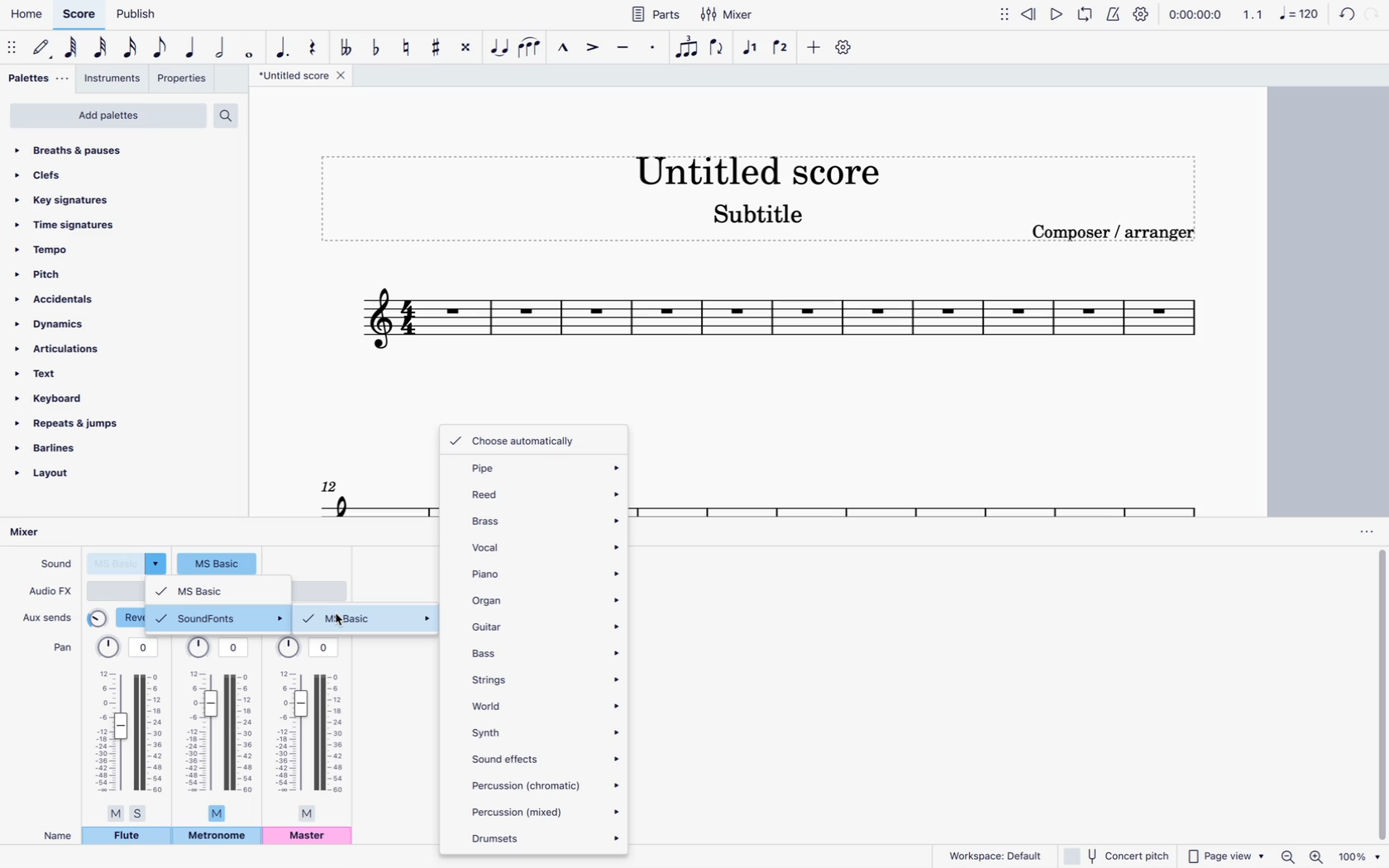 Image resolution: width=1389 pixels, height=868 pixels. I want to click on sound type, so click(128, 563).